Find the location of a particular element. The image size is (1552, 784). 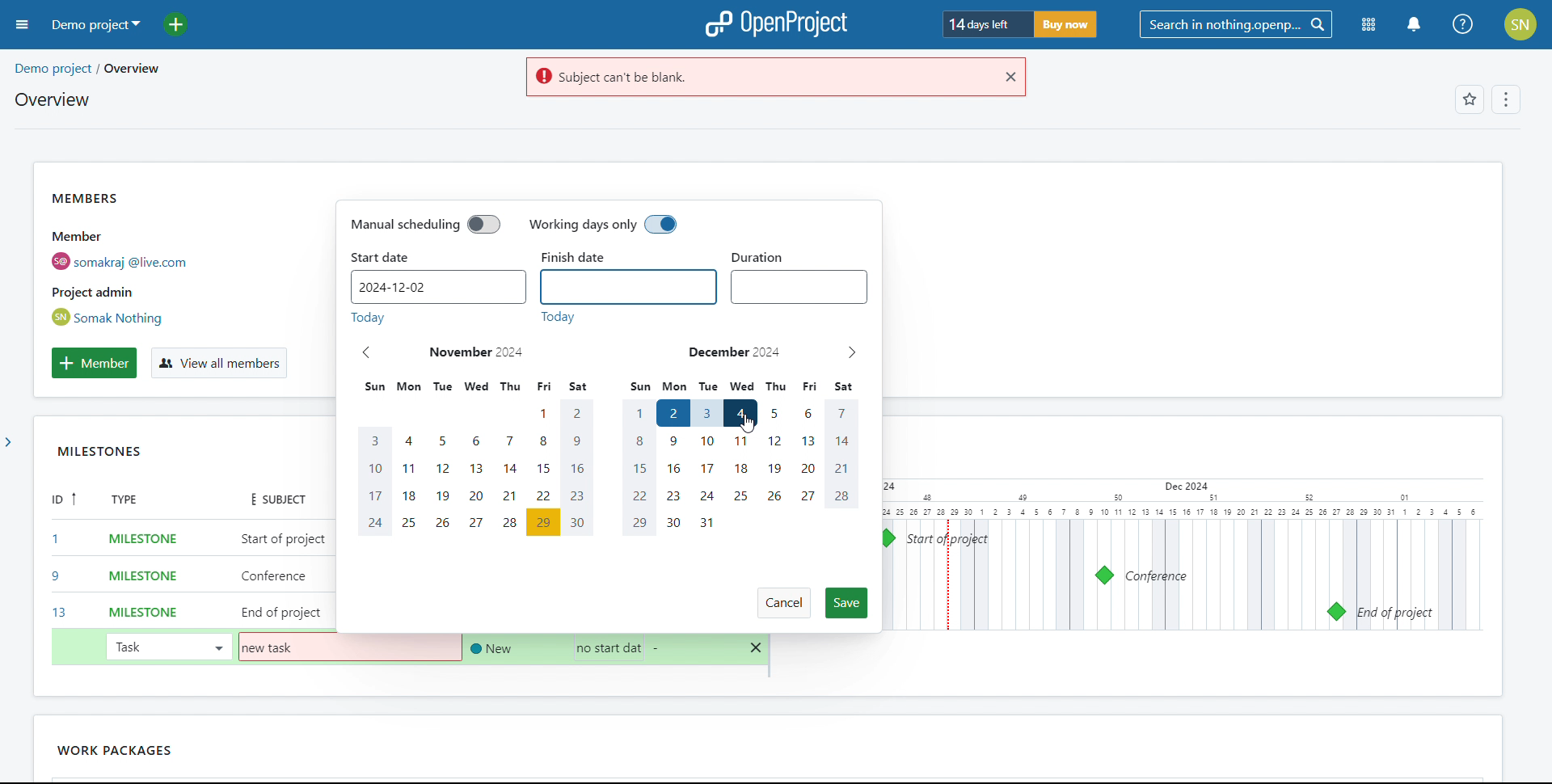

set type is located at coordinates (134, 573).